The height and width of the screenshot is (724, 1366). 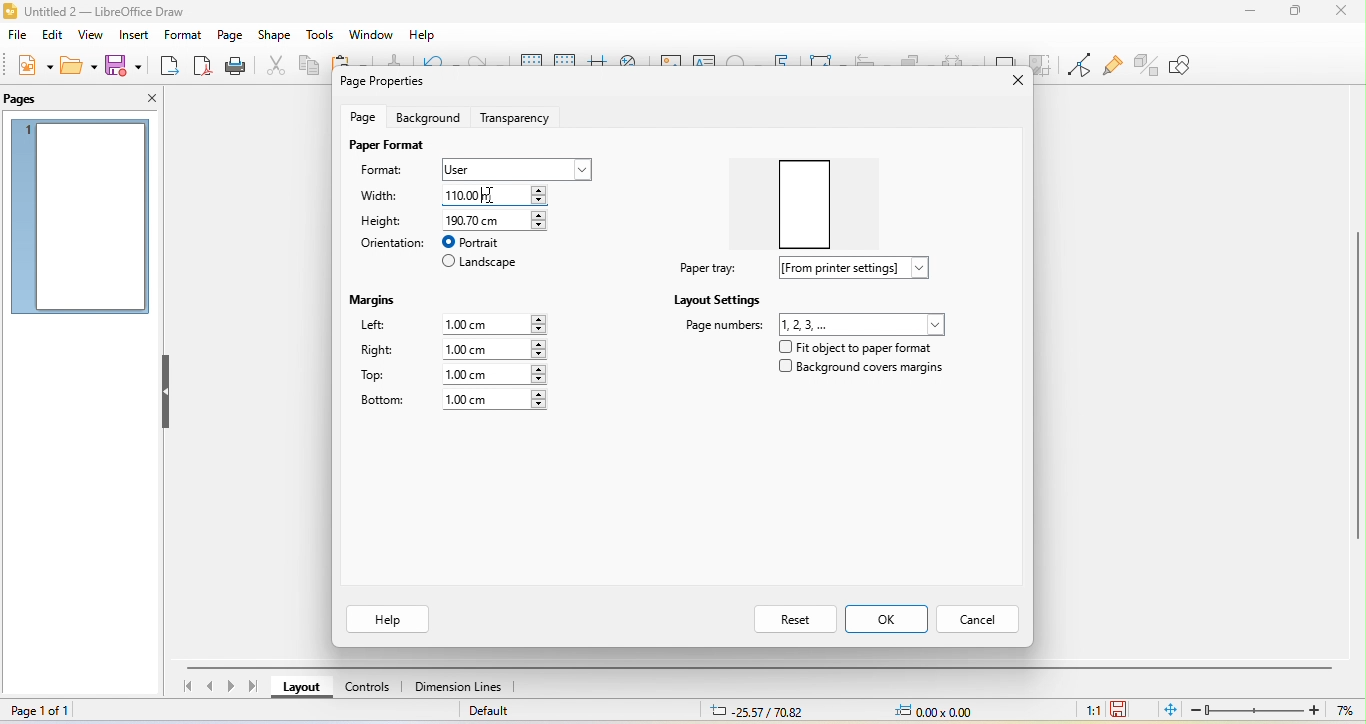 I want to click on vertical scroll bar, so click(x=1357, y=380).